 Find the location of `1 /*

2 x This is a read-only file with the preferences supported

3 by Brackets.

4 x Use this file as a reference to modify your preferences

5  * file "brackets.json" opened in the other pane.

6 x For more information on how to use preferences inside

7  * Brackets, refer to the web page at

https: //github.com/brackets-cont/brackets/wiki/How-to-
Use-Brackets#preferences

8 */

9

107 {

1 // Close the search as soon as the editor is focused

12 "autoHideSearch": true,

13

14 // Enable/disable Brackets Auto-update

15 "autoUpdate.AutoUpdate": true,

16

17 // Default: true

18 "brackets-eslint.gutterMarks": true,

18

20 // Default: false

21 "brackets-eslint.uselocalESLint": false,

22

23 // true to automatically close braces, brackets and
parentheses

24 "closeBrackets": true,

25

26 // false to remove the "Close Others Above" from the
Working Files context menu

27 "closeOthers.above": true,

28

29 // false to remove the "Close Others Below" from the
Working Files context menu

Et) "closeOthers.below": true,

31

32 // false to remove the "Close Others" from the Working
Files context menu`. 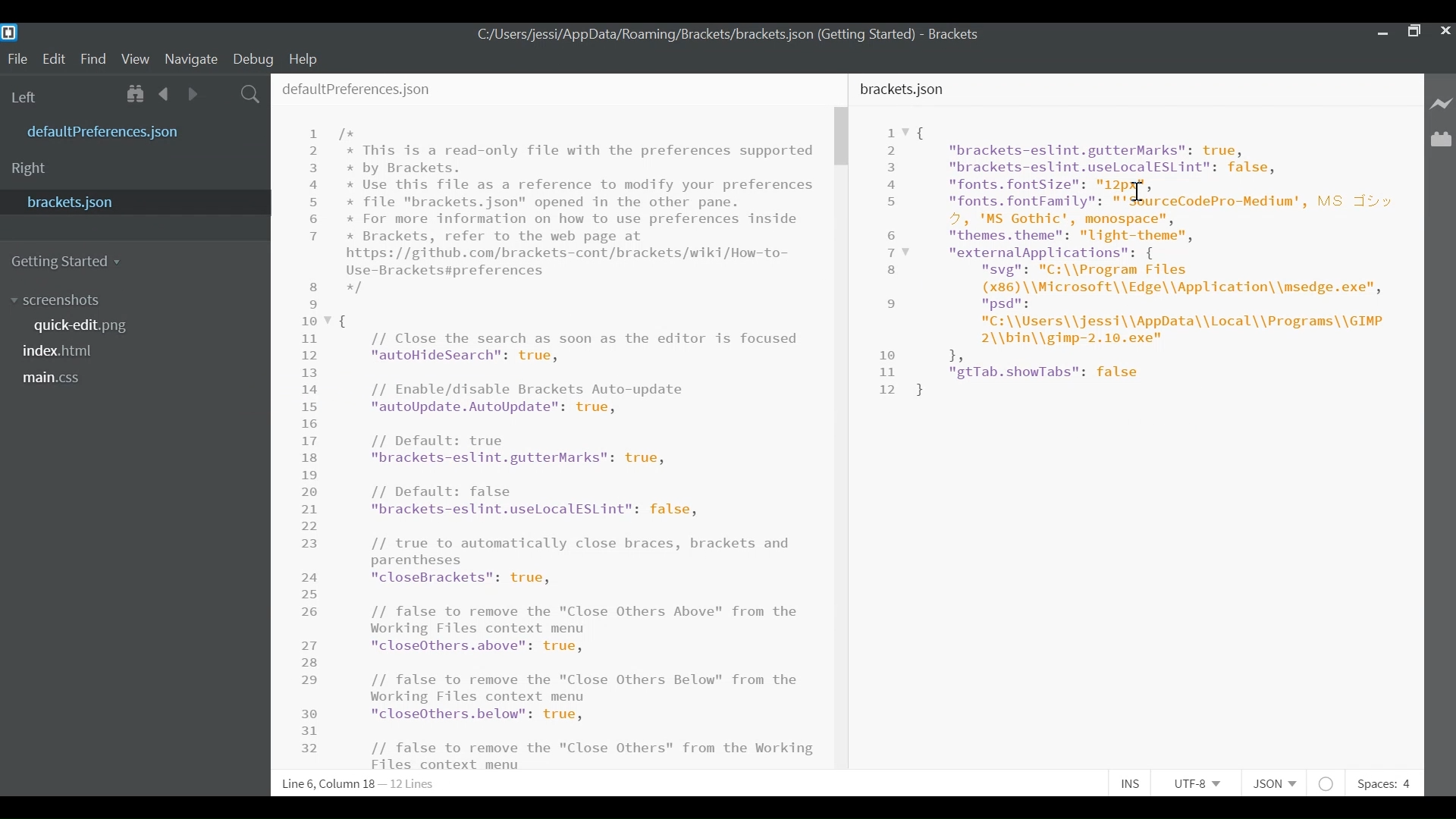

1 /*

2 x This is a read-only file with the preferences supported

3 by Brackets.

4 x Use this file as a reference to modify your preferences

5  * file "brackets.json" opened in the other pane.

6 x For more information on how to use preferences inside

7  * Brackets, refer to the web page at

https: //github.com/brackets-cont/brackets/wiki/How-to-
Use-Brackets#preferences

8 */

9

107 {

1 // Close the search as soon as the editor is focused

12 "autoHideSearch": true,

13

14 // Enable/disable Brackets Auto-update

15 "autoUpdate.AutoUpdate": true,

16

17 // Default: true

18 "brackets-eslint.gutterMarks": true,

18

20 // Default: false

21 "brackets-eslint.uselocalESLint": false,

22

23 // true to automatically close braces, brackets and
parentheses

24 "closeBrackets": true,

25

26 // false to remove the "Close Others Above" from the
Working Files context menu

27 "closeOthers.above": true,

28

29 // false to remove the "Close Others Below" from the
Working Files context menu

Et) "closeOthers.below": true,

31

32 // false to remove the "Close Others" from the Working
Files context menu is located at coordinates (560, 446).